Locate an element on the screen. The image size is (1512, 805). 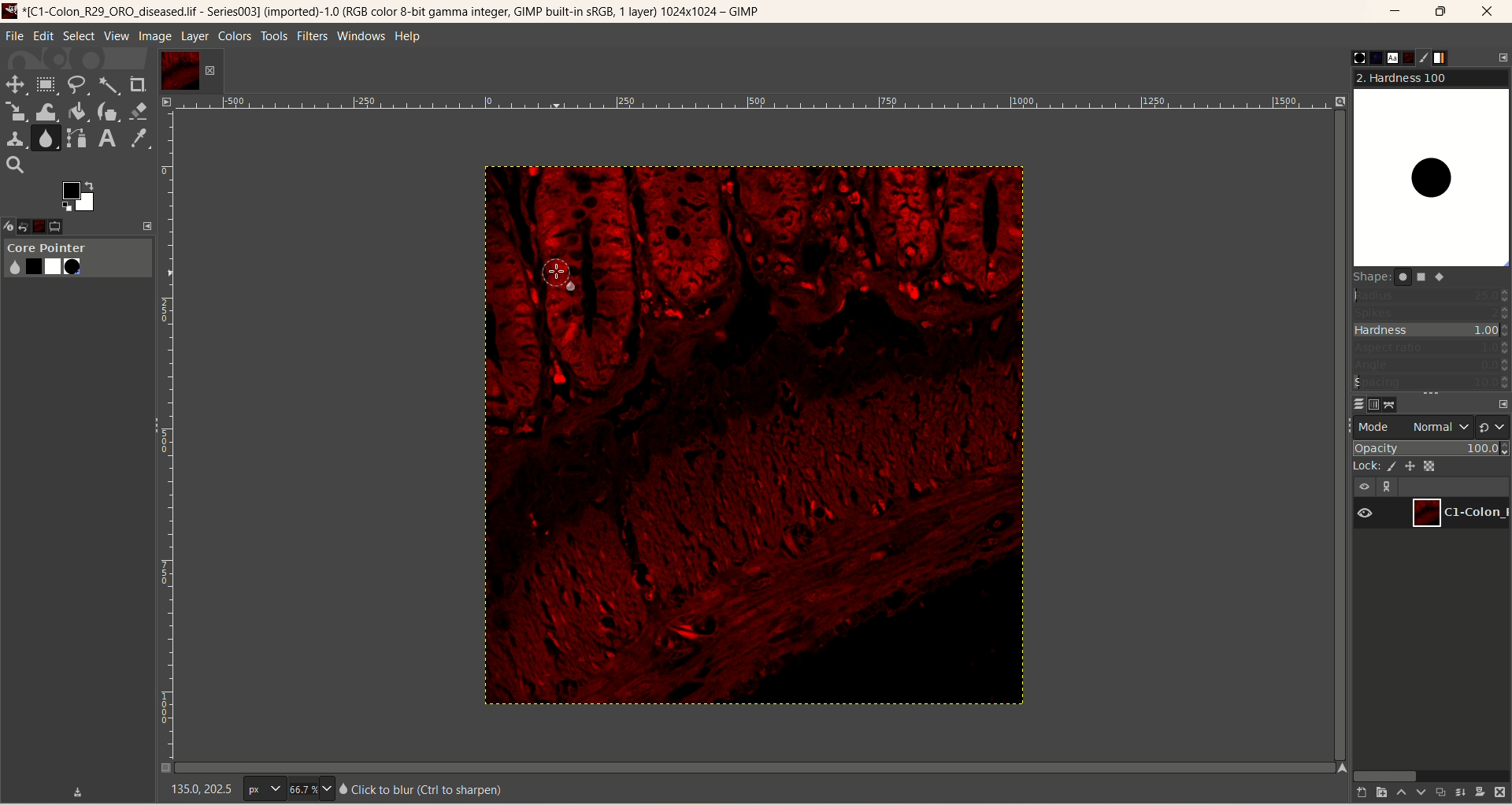
text is located at coordinates (442, 788).